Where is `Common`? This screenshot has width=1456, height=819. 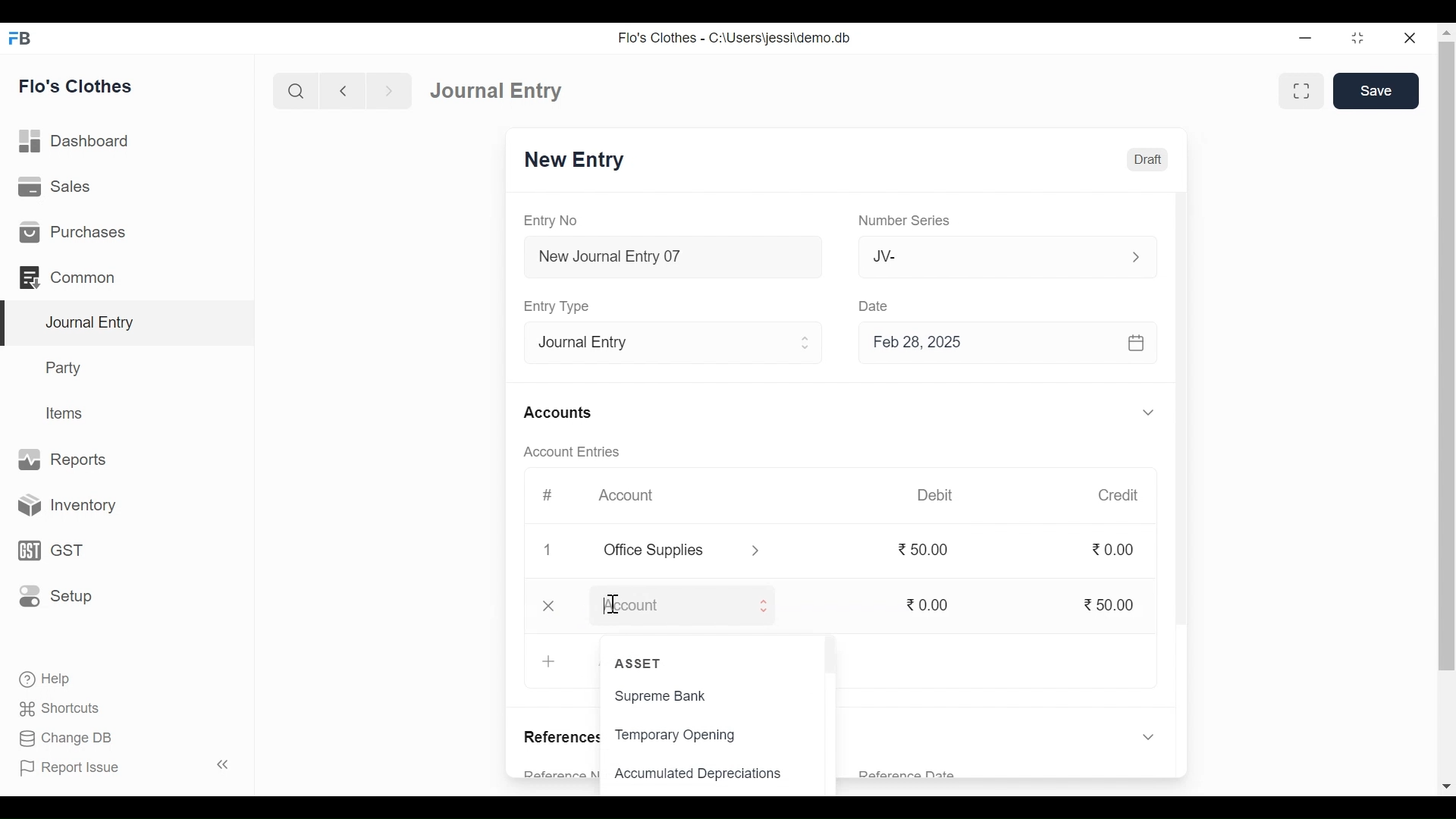
Common is located at coordinates (70, 277).